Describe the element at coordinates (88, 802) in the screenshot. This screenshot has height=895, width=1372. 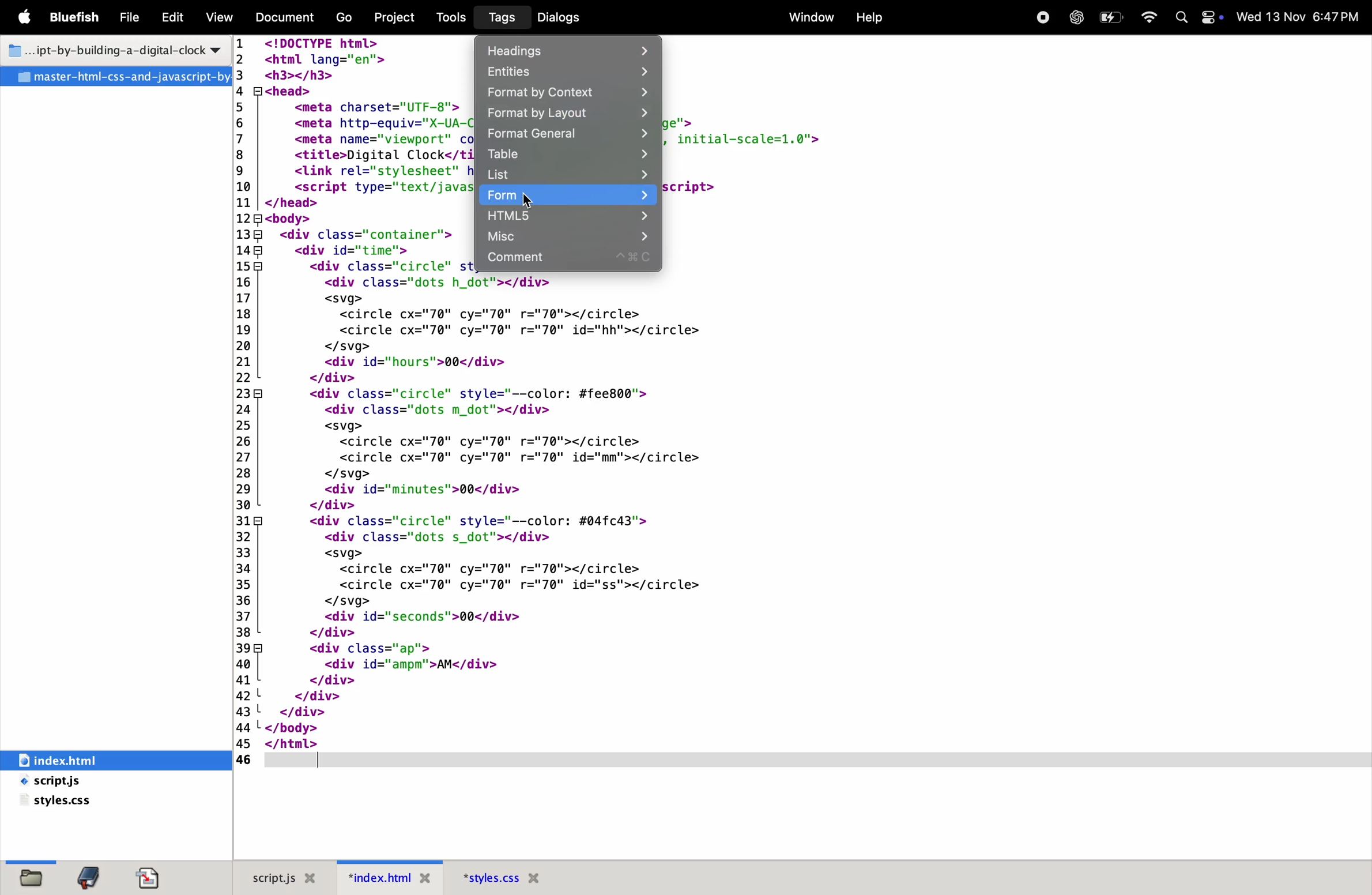
I see `style.css` at that location.